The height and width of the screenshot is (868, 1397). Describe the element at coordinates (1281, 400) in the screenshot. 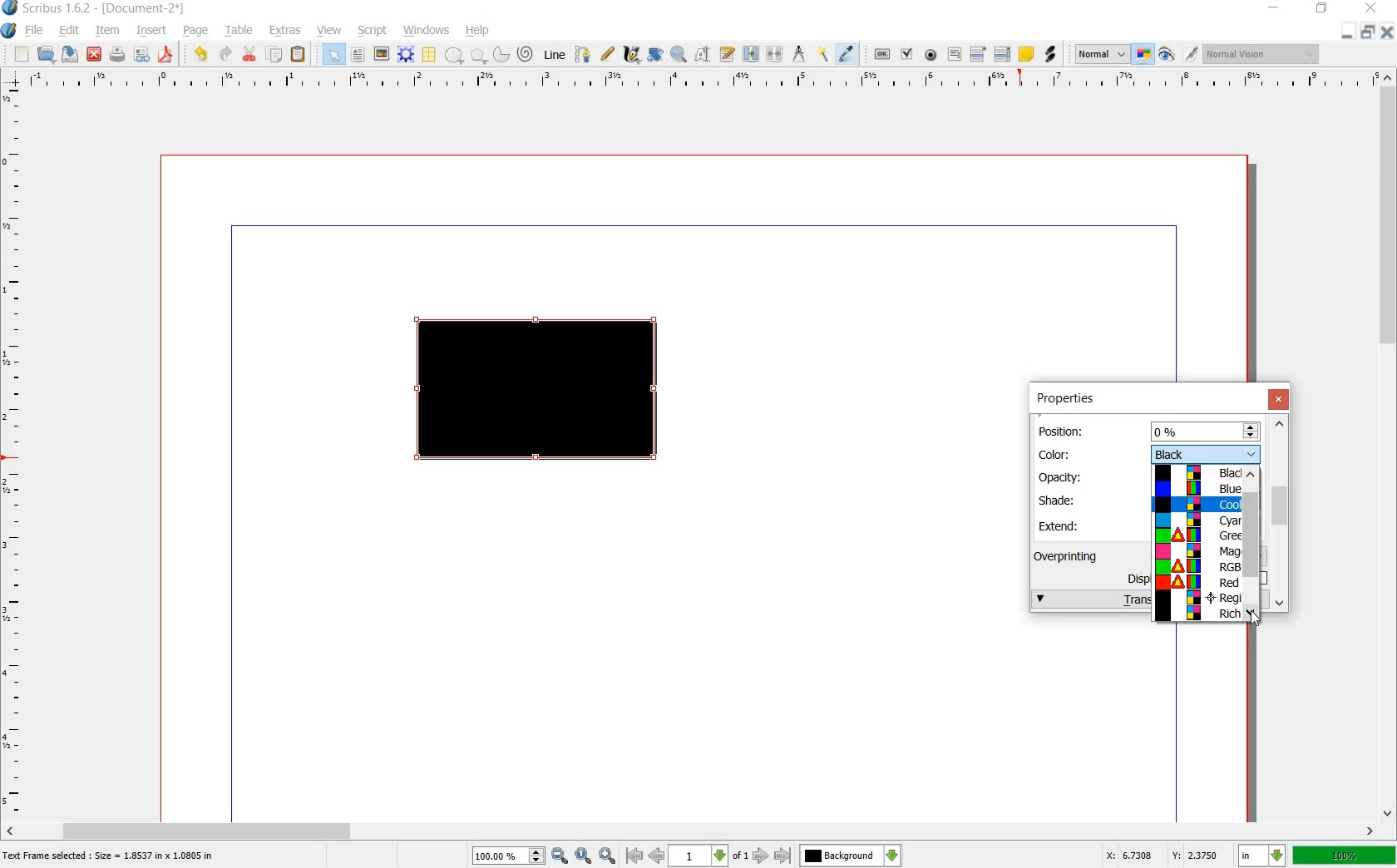

I see `close` at that location.